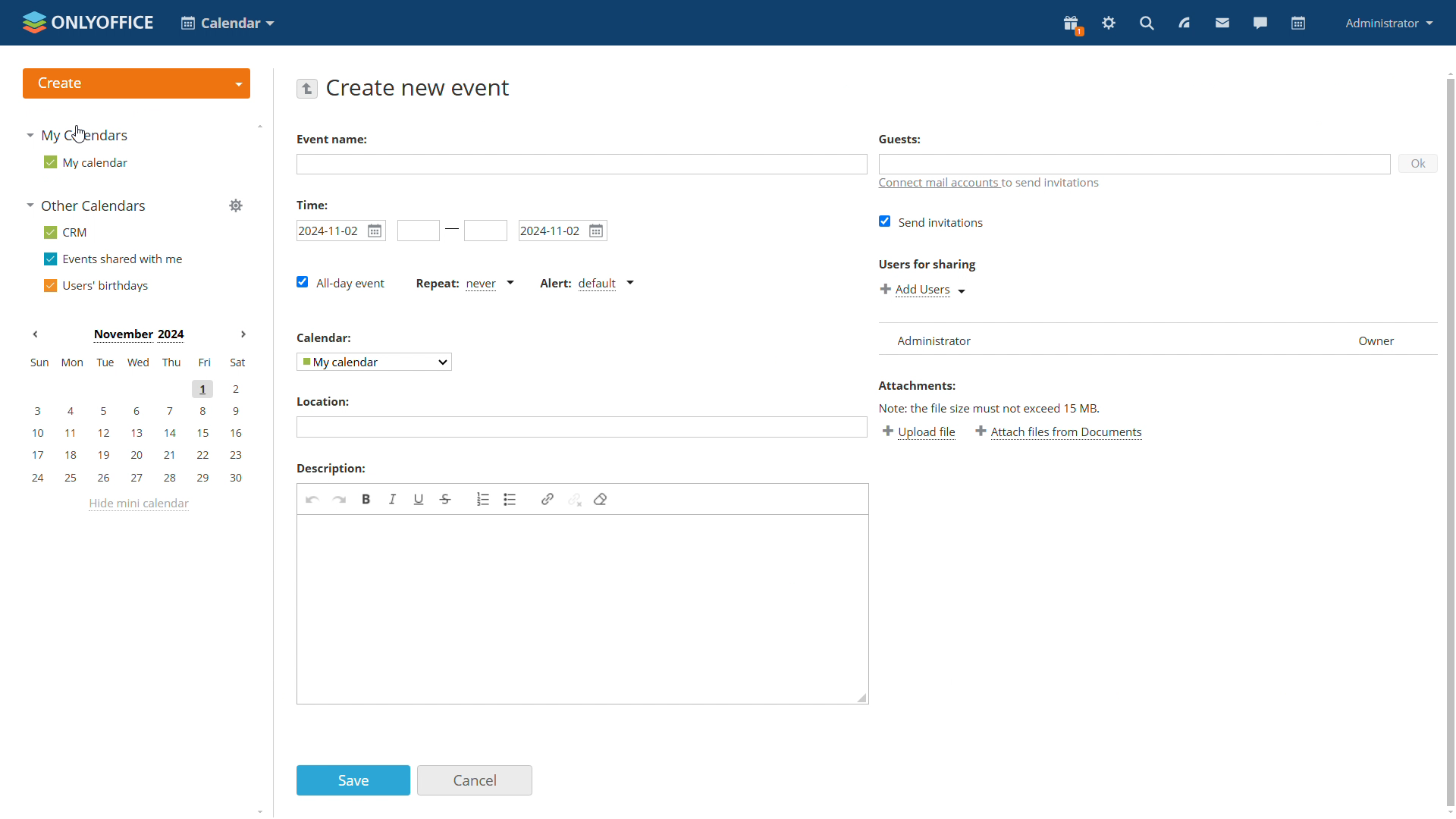 The image size is (1456, 819). What do you see at coordinates (416, 230) in the screenshot?
I see `event start time` at bounding box center [416, 230].